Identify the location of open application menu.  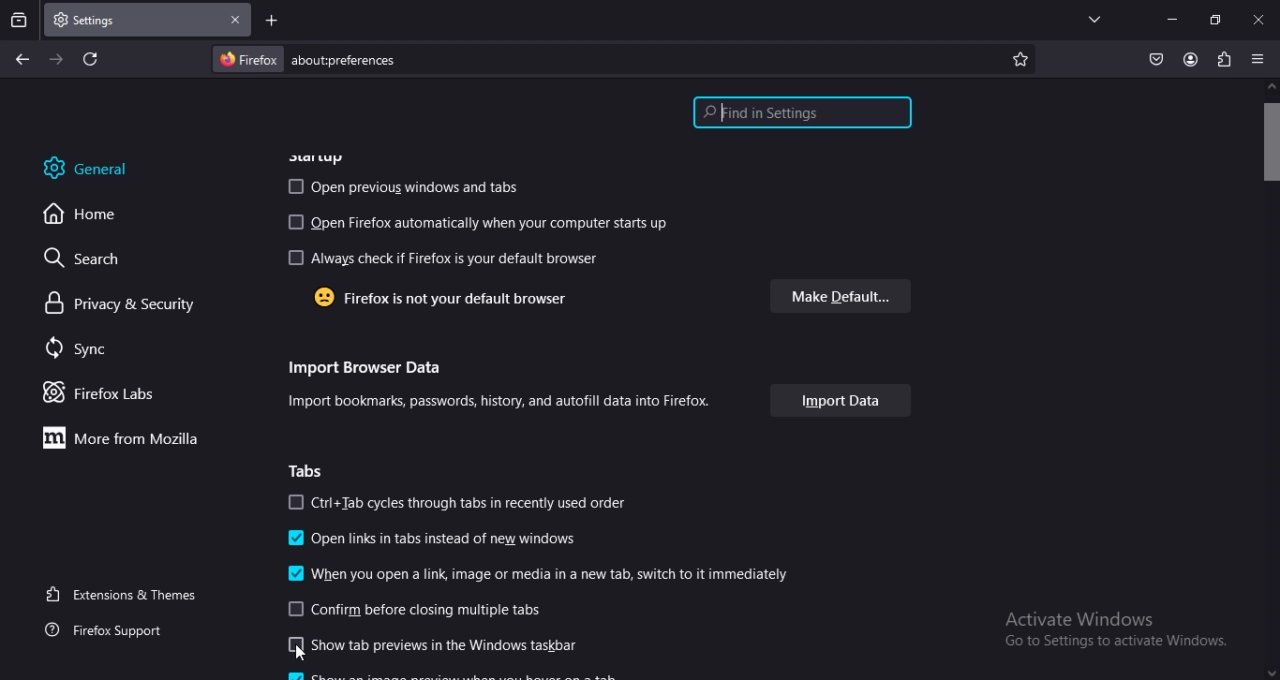
(1259, 58).